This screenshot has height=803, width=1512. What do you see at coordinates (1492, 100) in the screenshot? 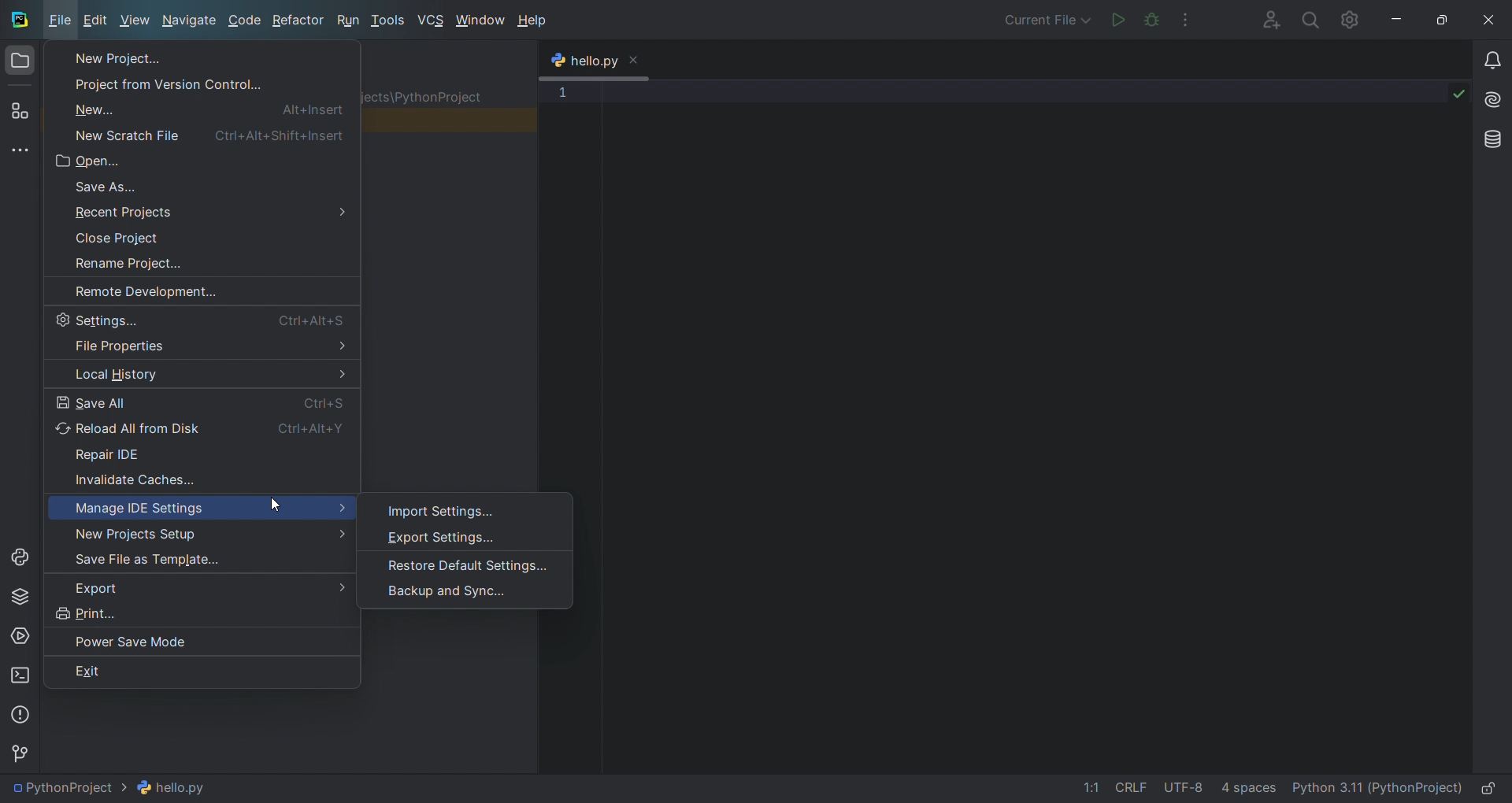
I see `ai assistant` at bounding box center [1492, 100].